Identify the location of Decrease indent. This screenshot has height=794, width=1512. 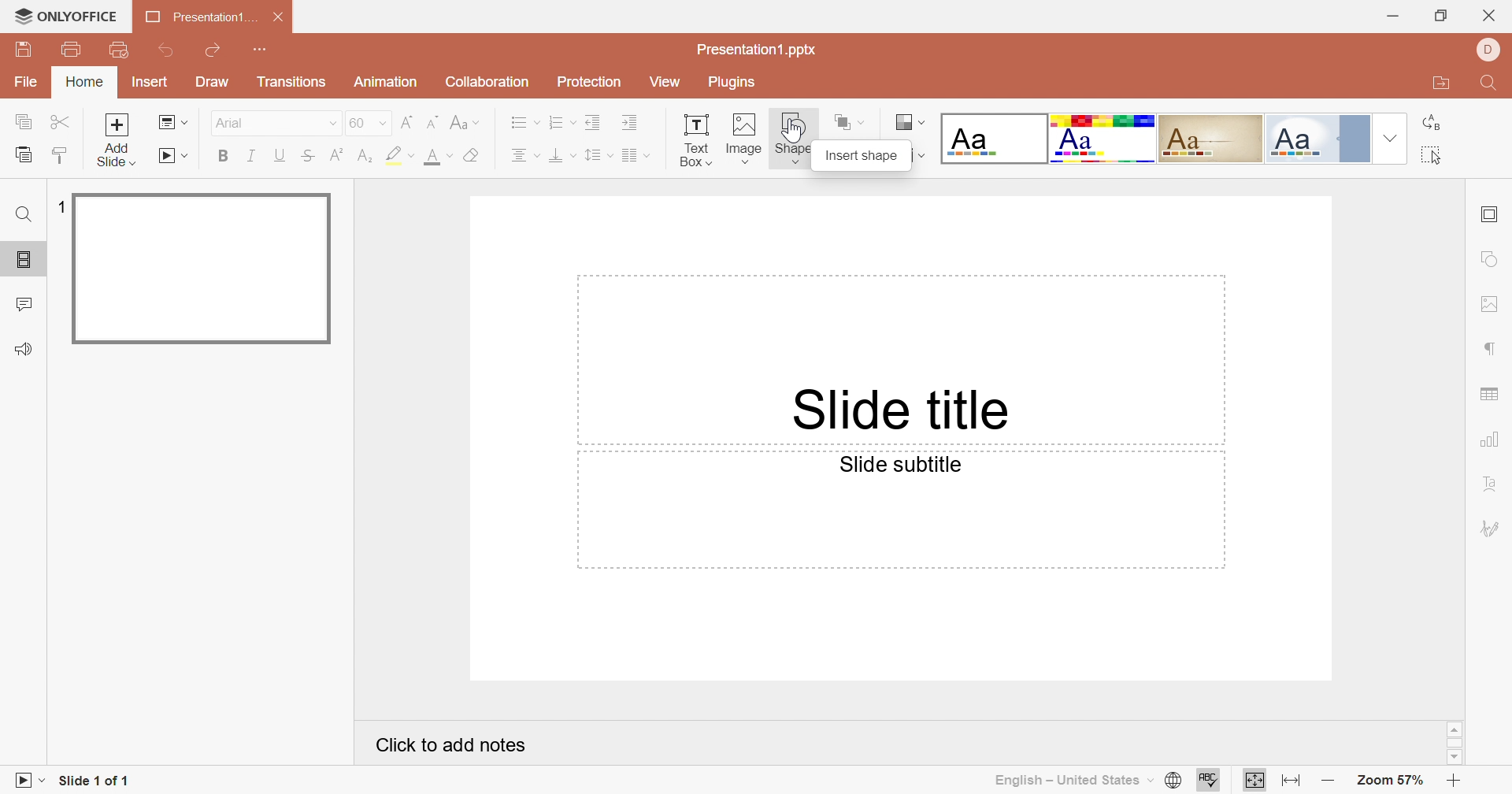
(594, 122).